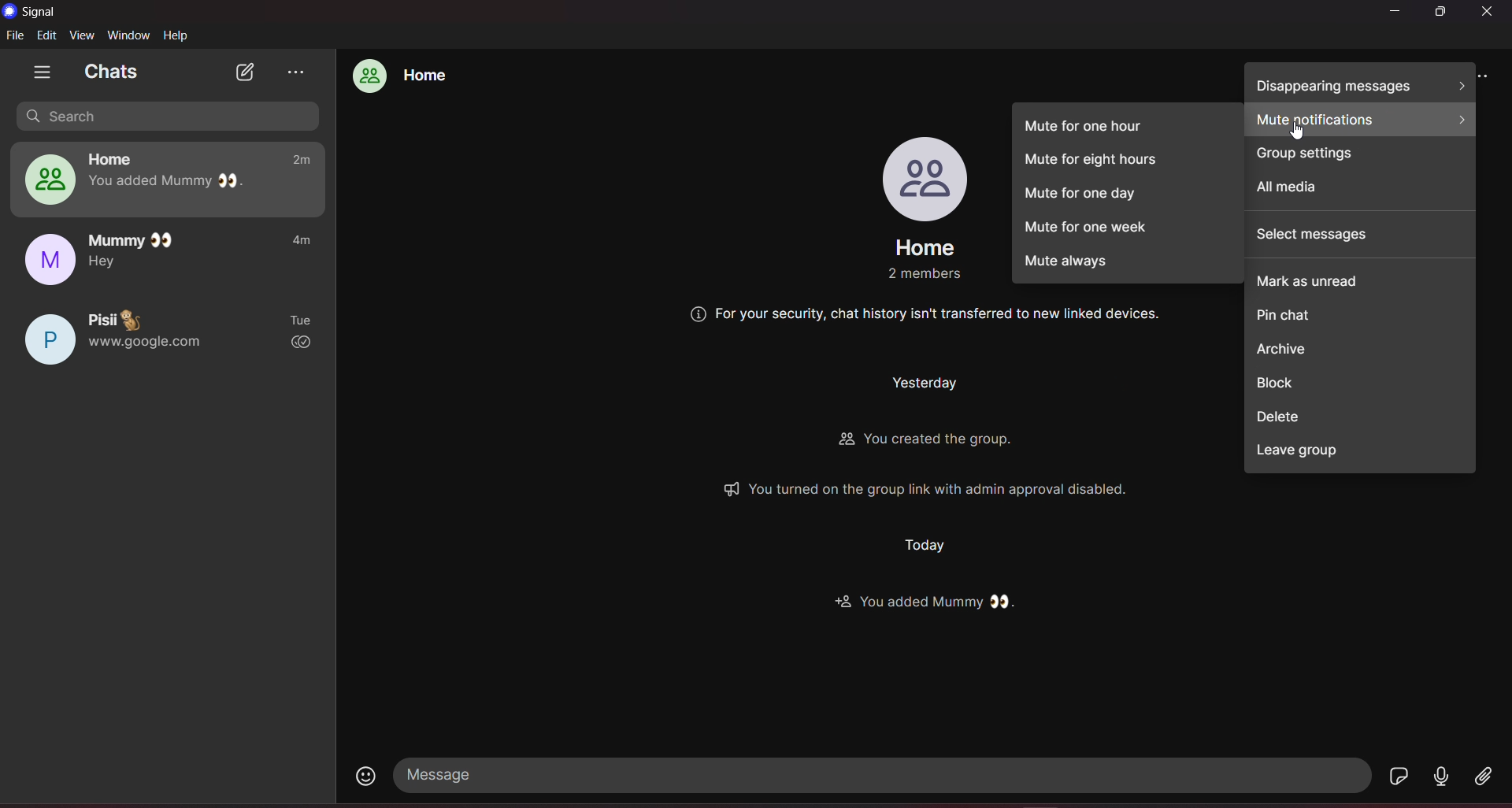 This screenshot has height=808, width=1512. What do you see at coordinates (925, 547) in the screenshot?
I see `` at bounding box center [925, 547].